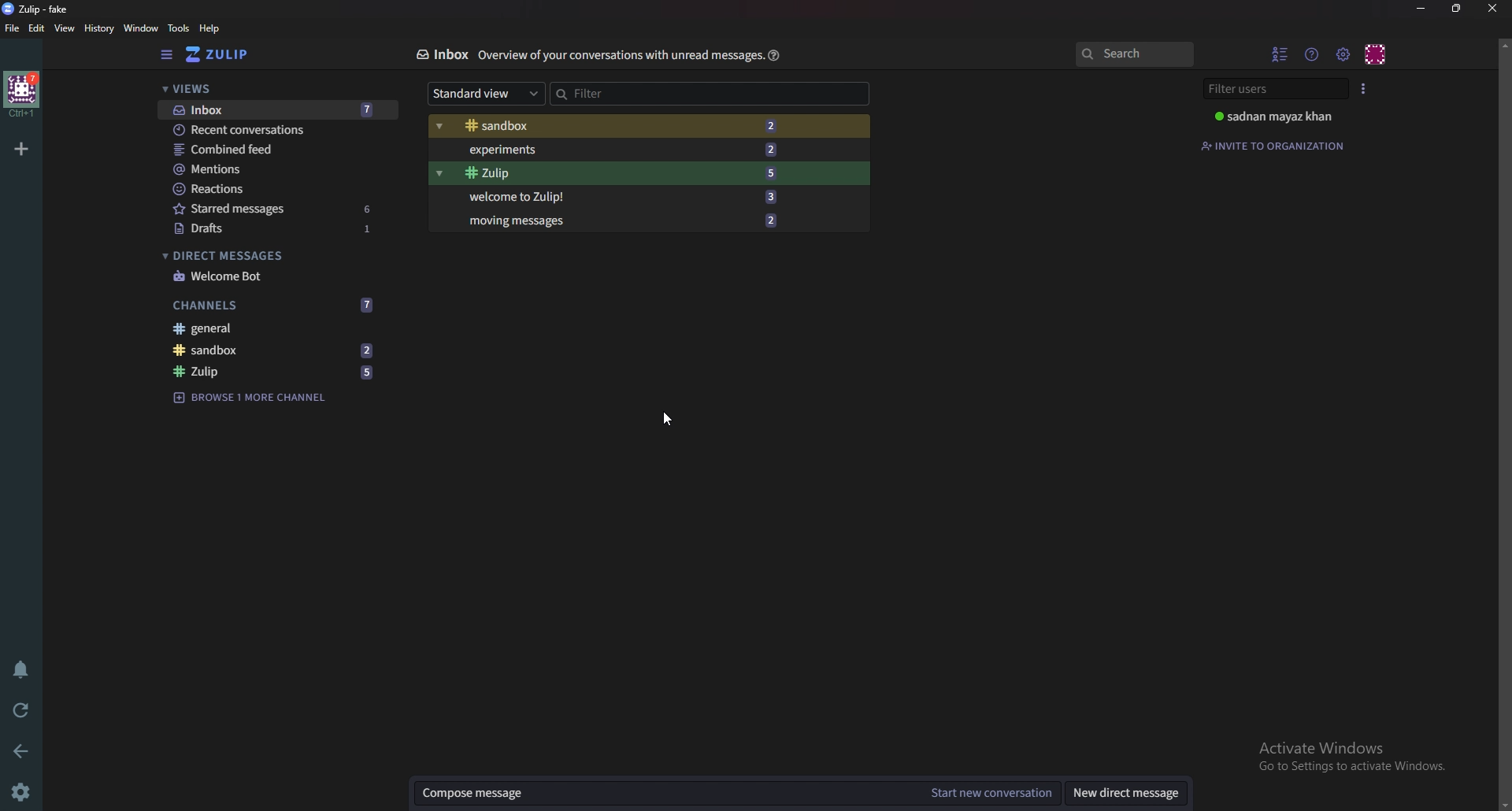 The image size is (1512, 811). Describe the element at coordinates (1278, 145) in the screenshot. I see `Invite to organization` at that location.